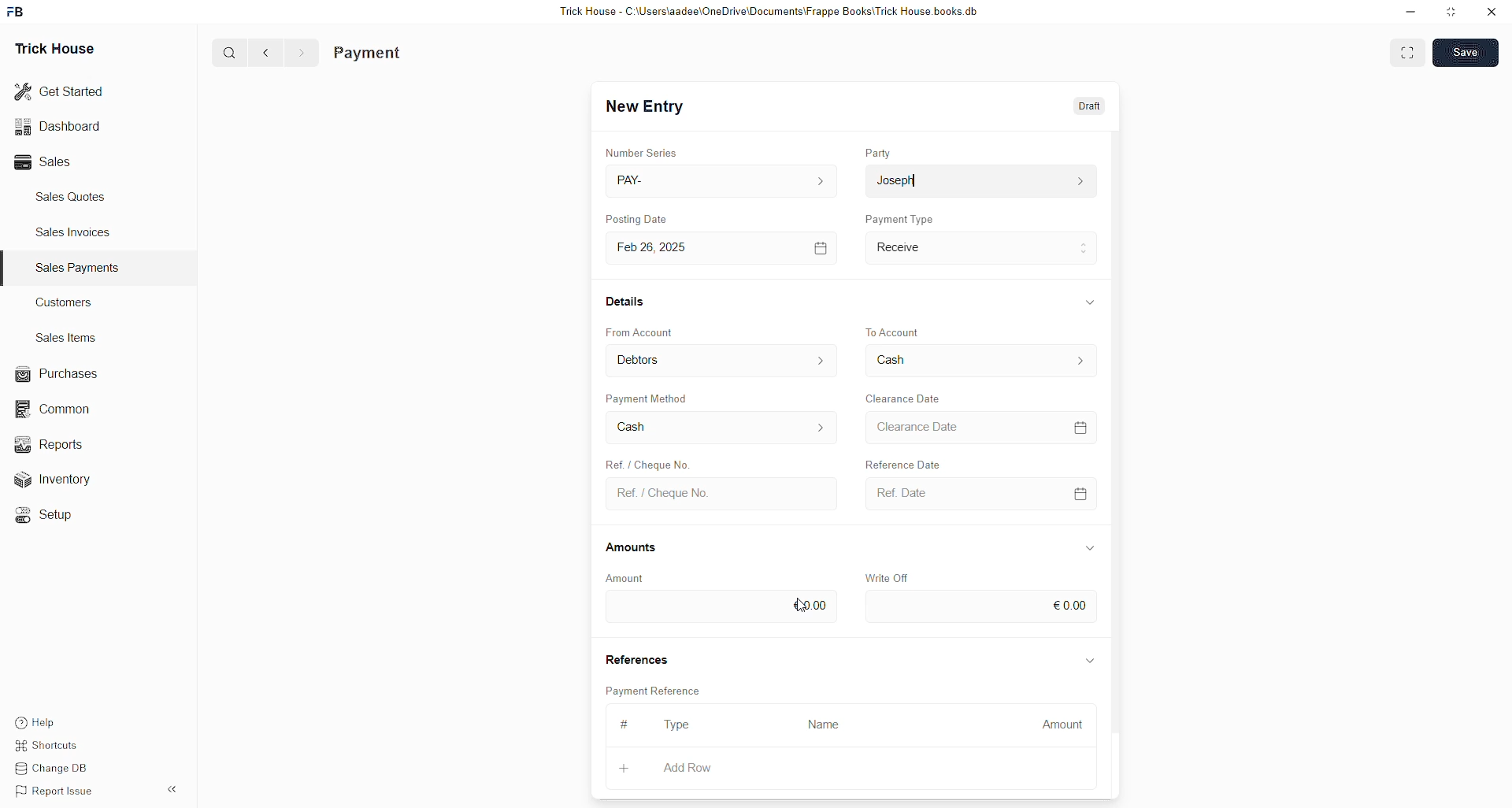 This screenshot has width=1512, height=808. Describe the element at coordinates (1056, 726) in the screenshot. I see `Amount` at that location.